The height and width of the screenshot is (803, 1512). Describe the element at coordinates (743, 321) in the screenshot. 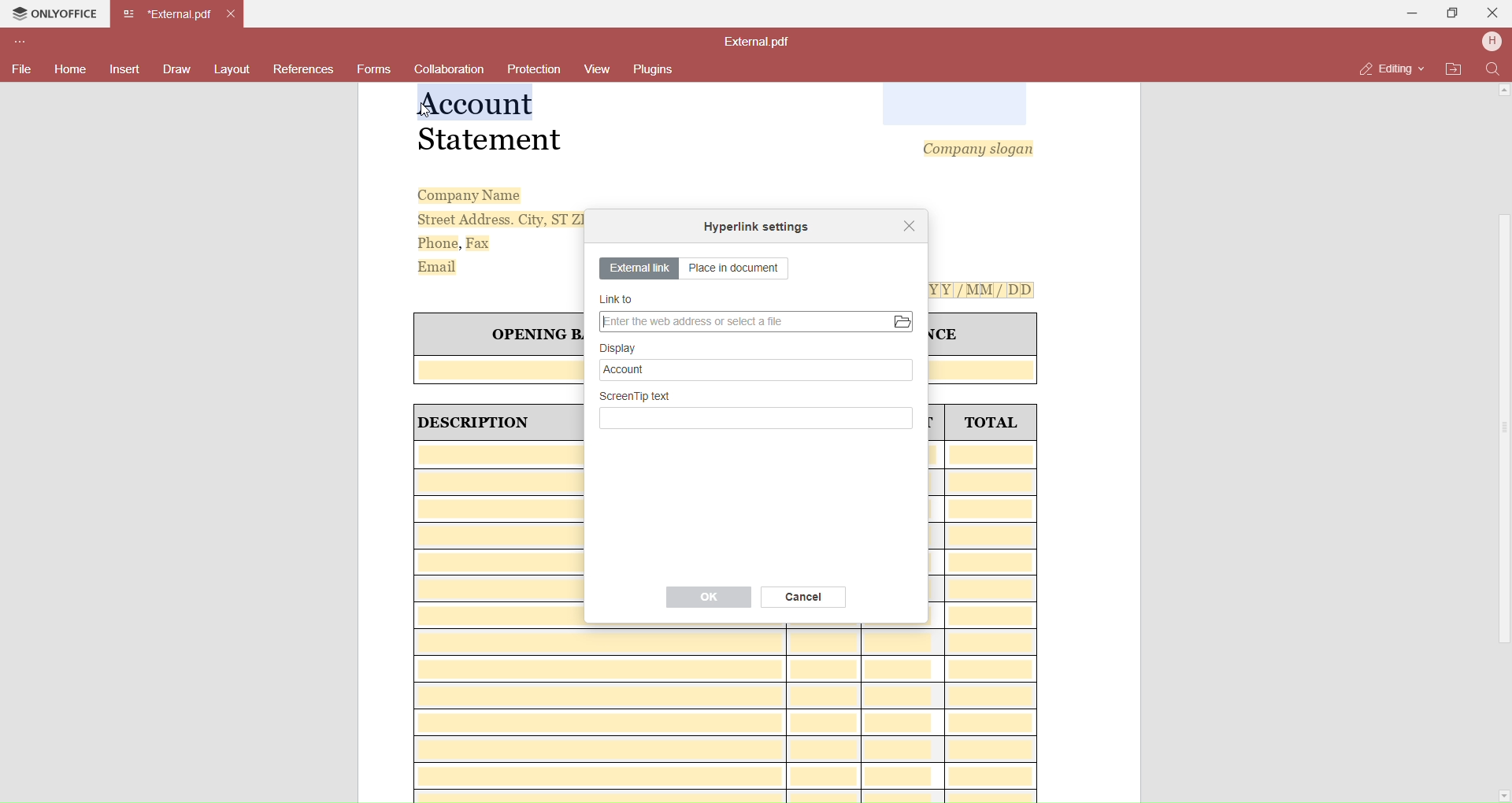

I see `Enter Web Address` at that location.